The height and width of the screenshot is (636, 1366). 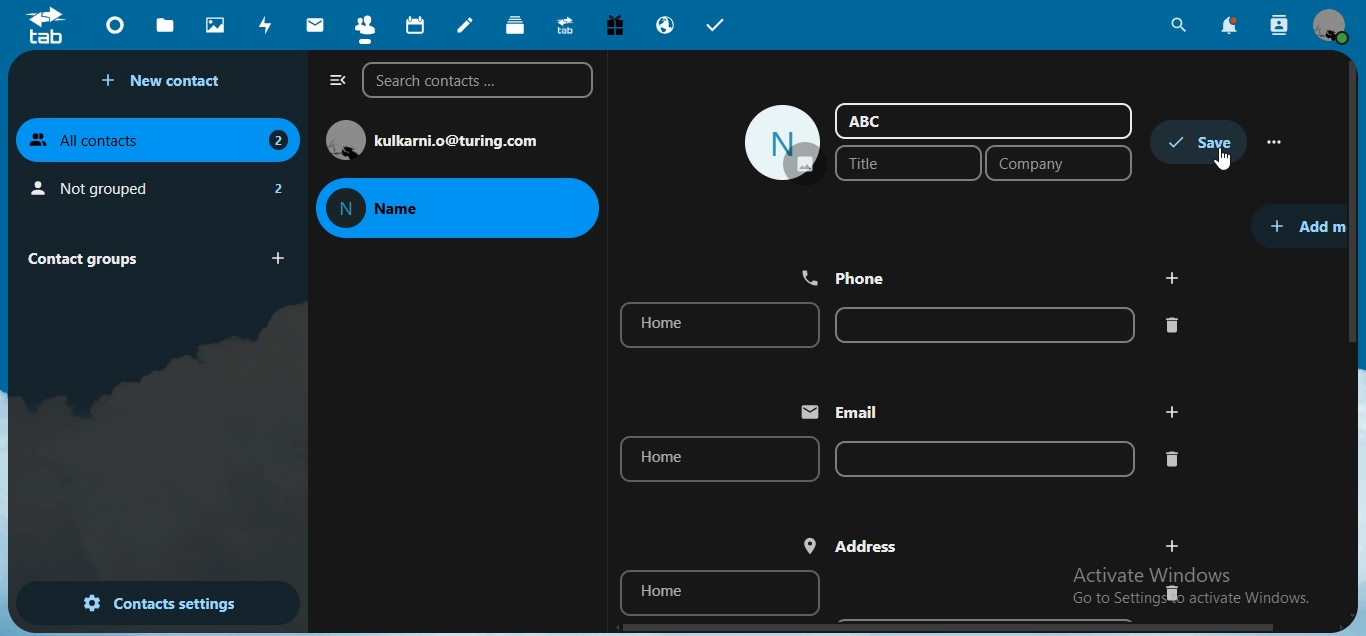 What do you see at coordinates (334, 81) in the screenshot?
I see `close navigation` at bounding box center [334, 81].